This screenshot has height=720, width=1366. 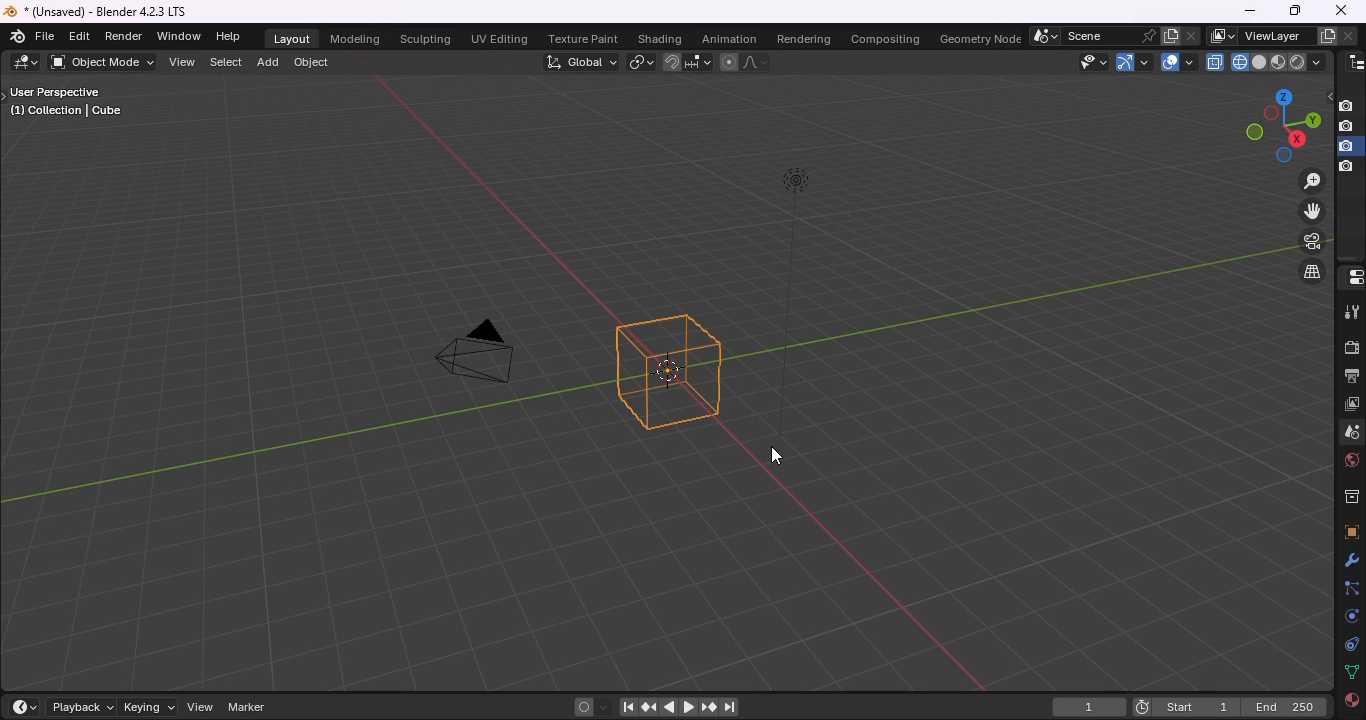 I want to click on help, so click(x=231, y=35).